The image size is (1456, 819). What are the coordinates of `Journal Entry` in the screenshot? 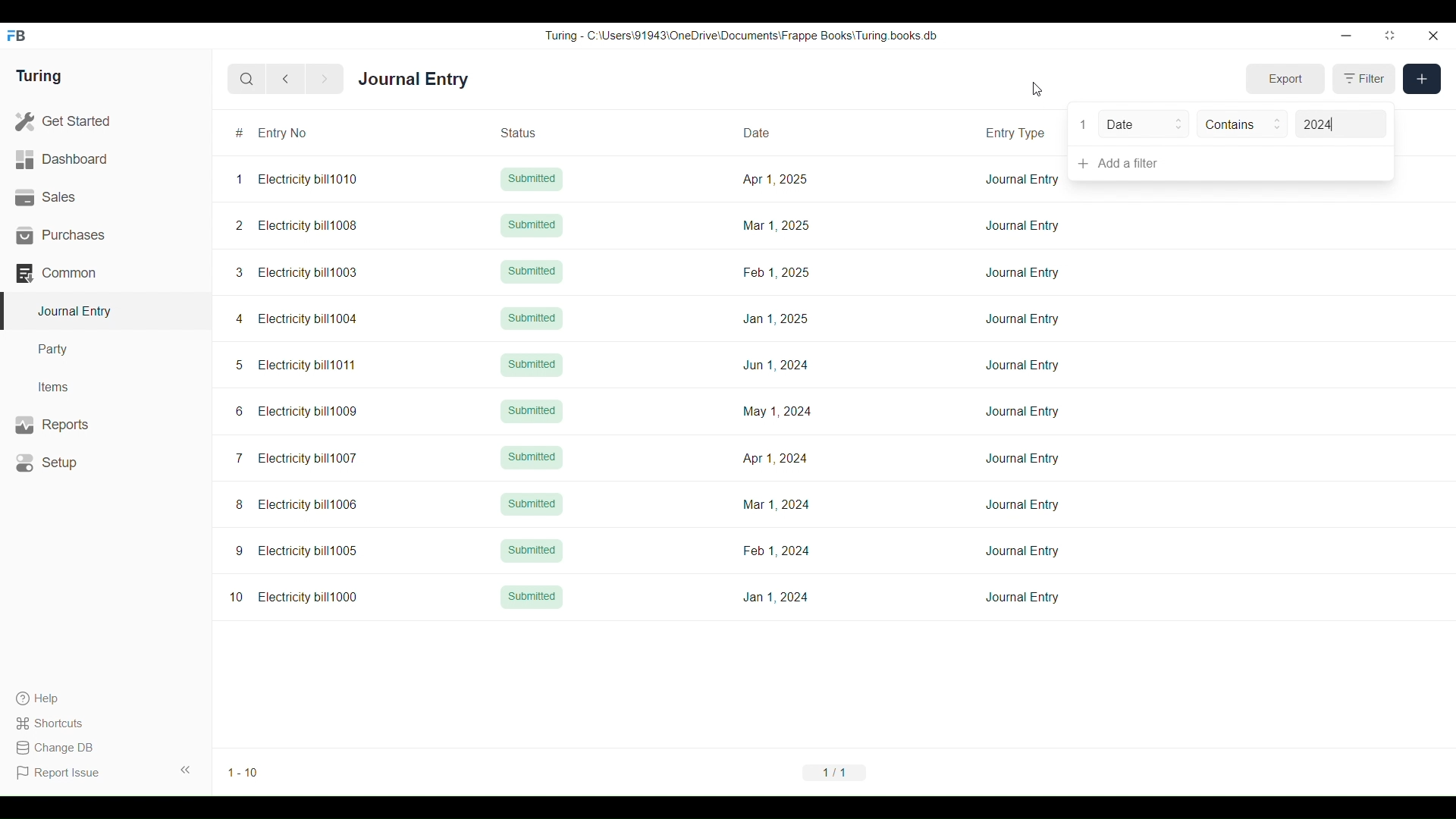 It's located at (1023, 412).